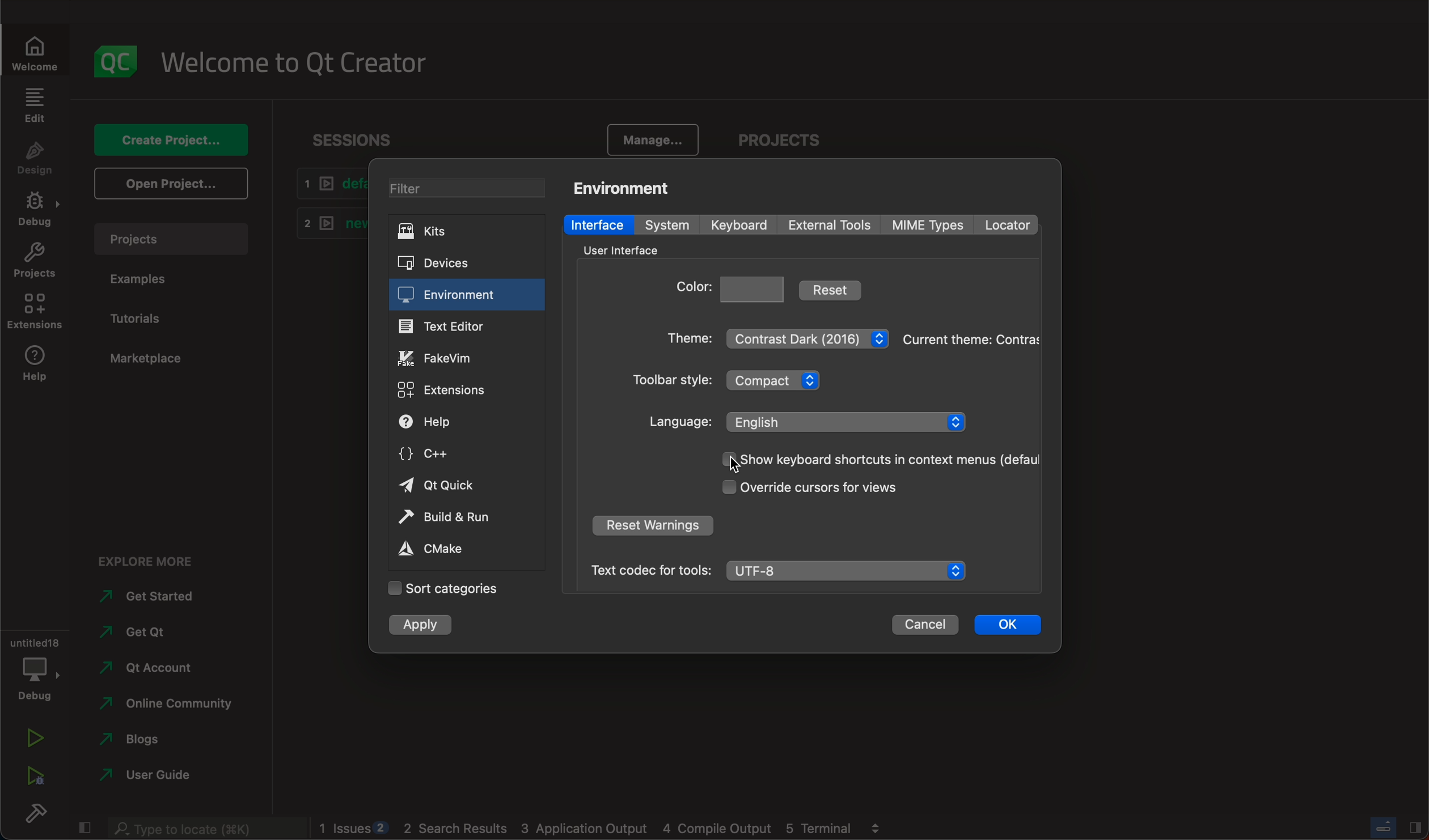  I want to click on welcome, so click(293, 60).